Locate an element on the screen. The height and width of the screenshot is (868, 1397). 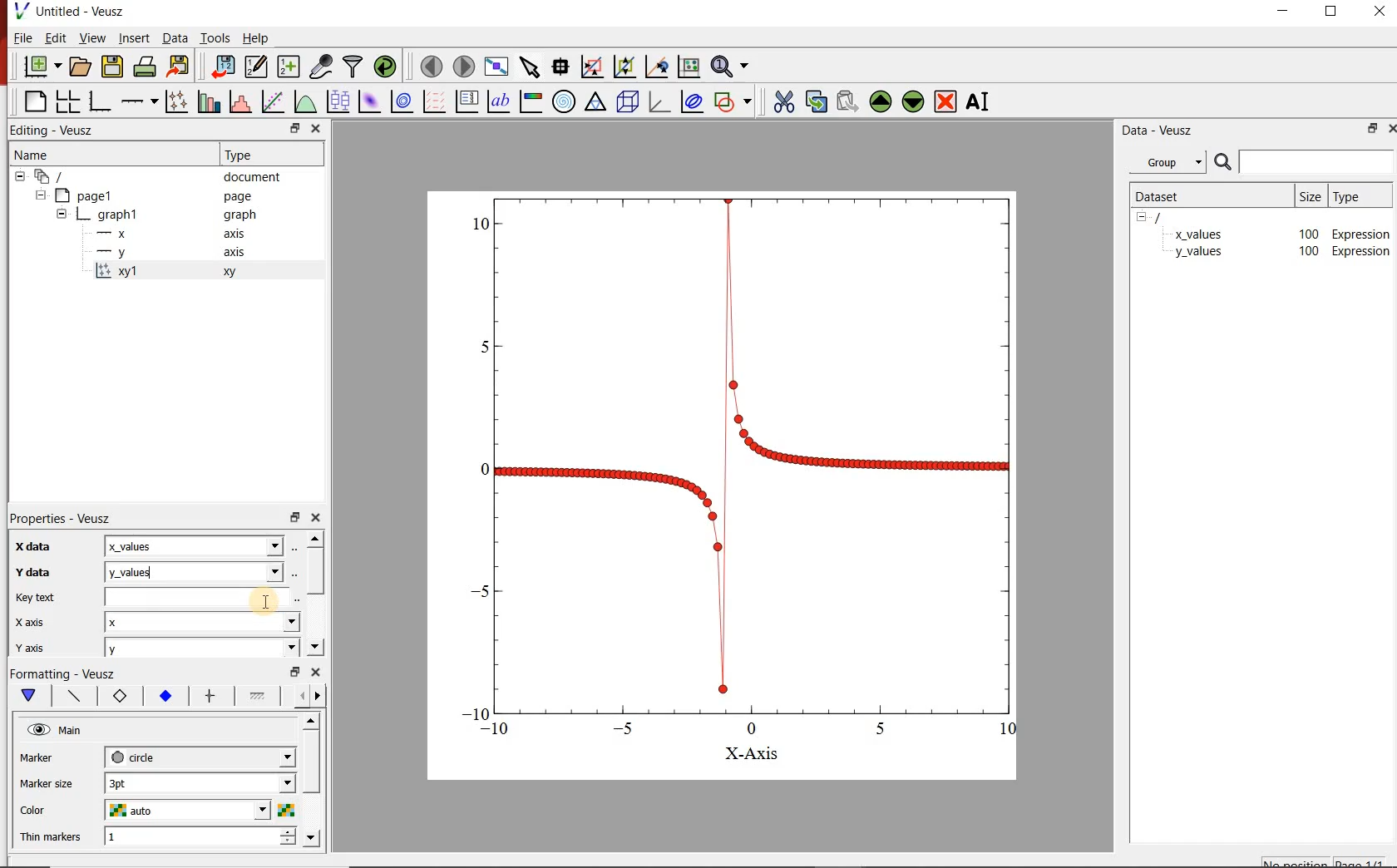
3pt is located at coordinates (200, 782).